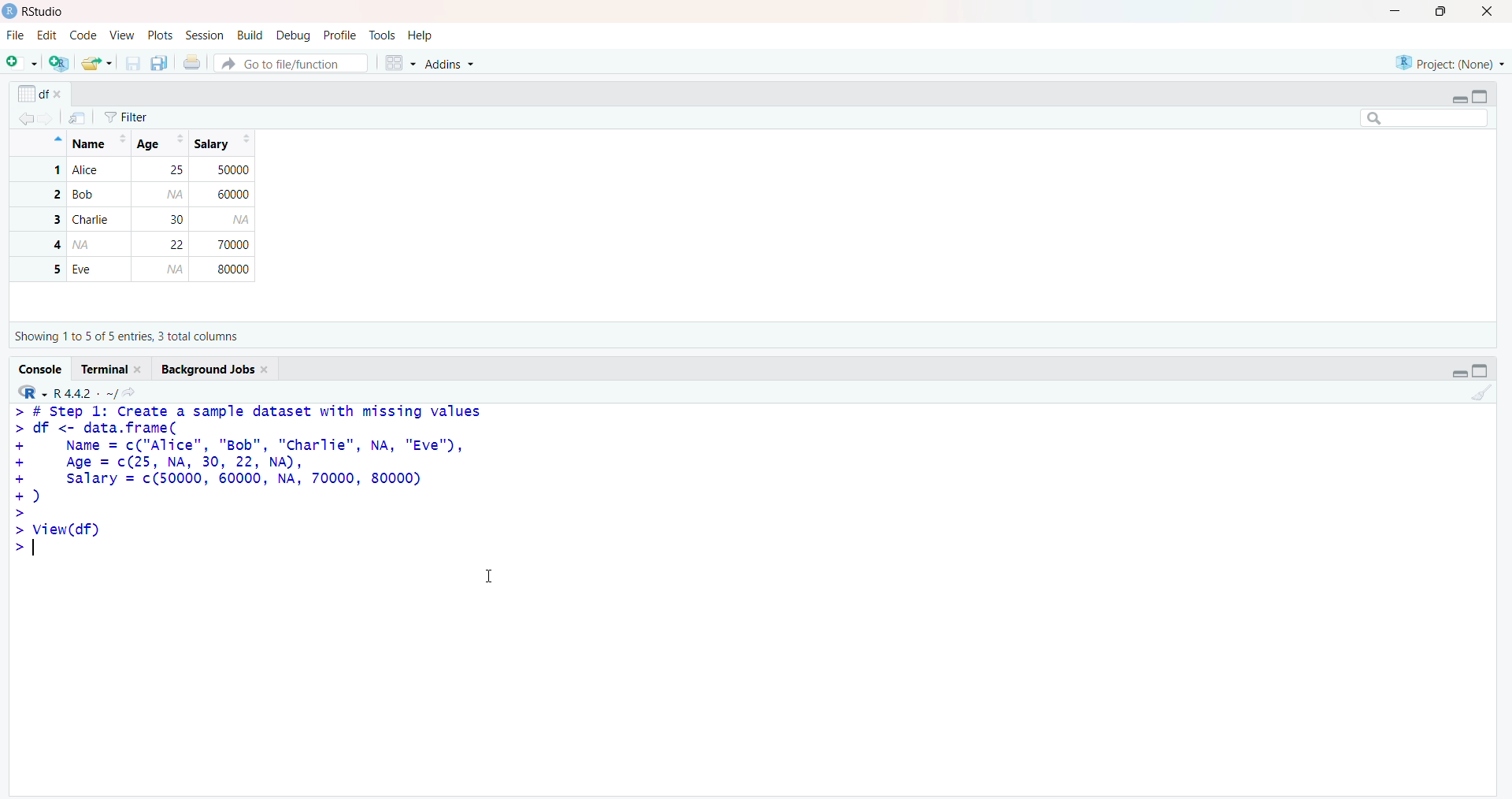  What do you see at coordinates (132, 392) in the screenshot?
I see `View the current working directory` at bounding box center [132, 392].